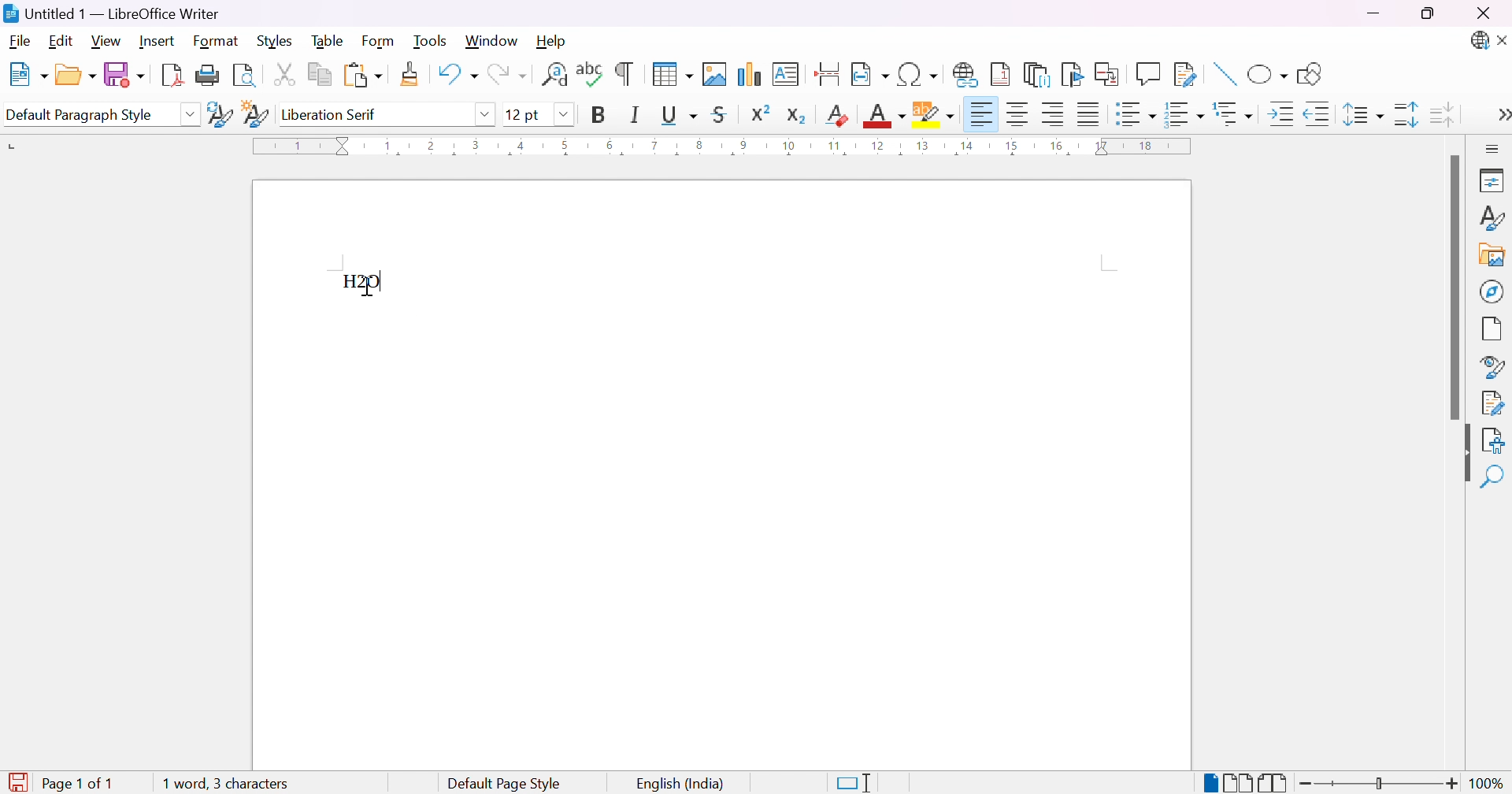 The height and width of the screenshot is (794, 1512). What do you see at coordinates (935, 114) in the screenshot?
I see `Character highlighting color` at bounding box center [935, 114].